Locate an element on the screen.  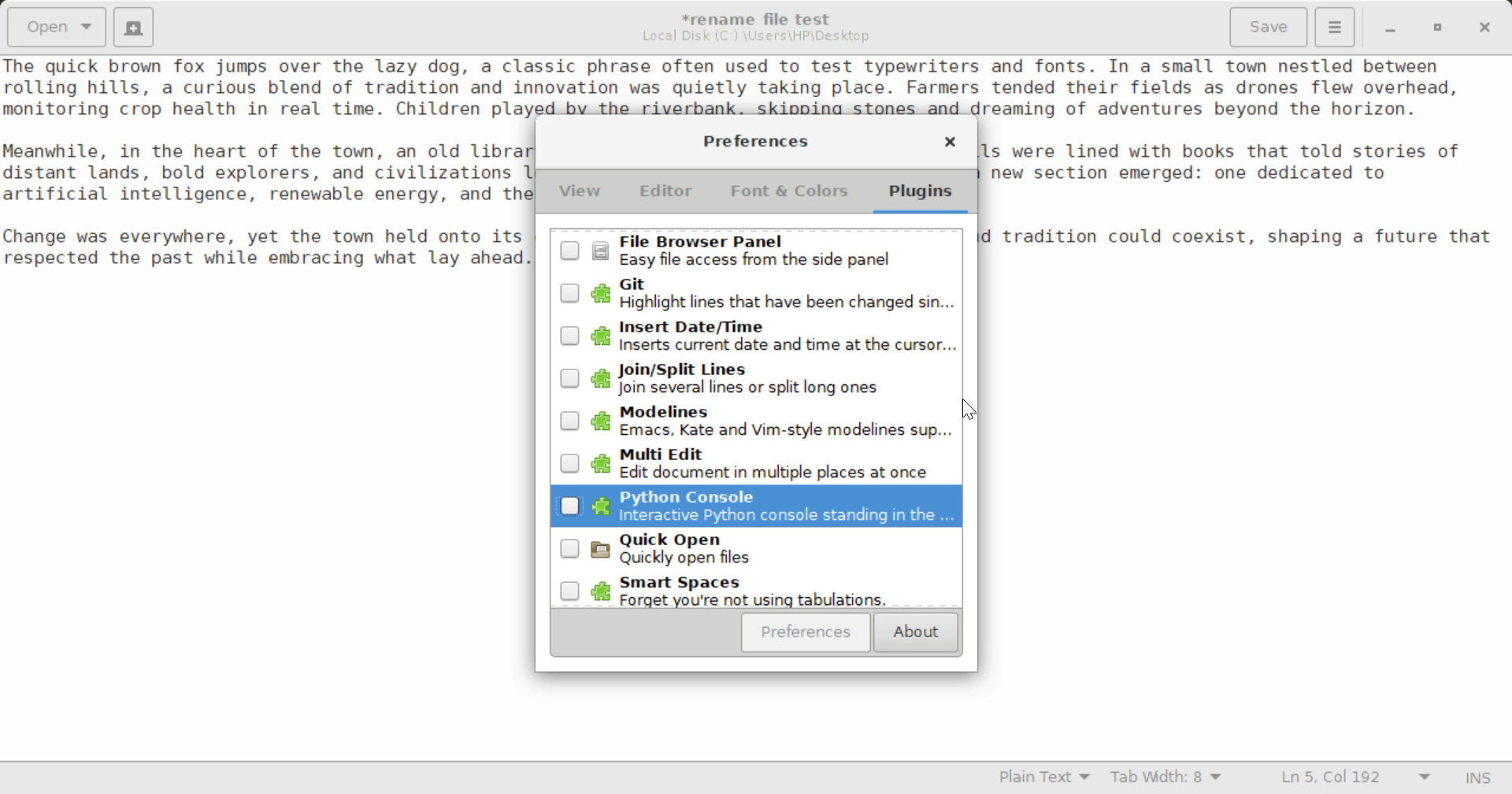
Unselected File Browser Panel  is located at coordinates (758, 250).